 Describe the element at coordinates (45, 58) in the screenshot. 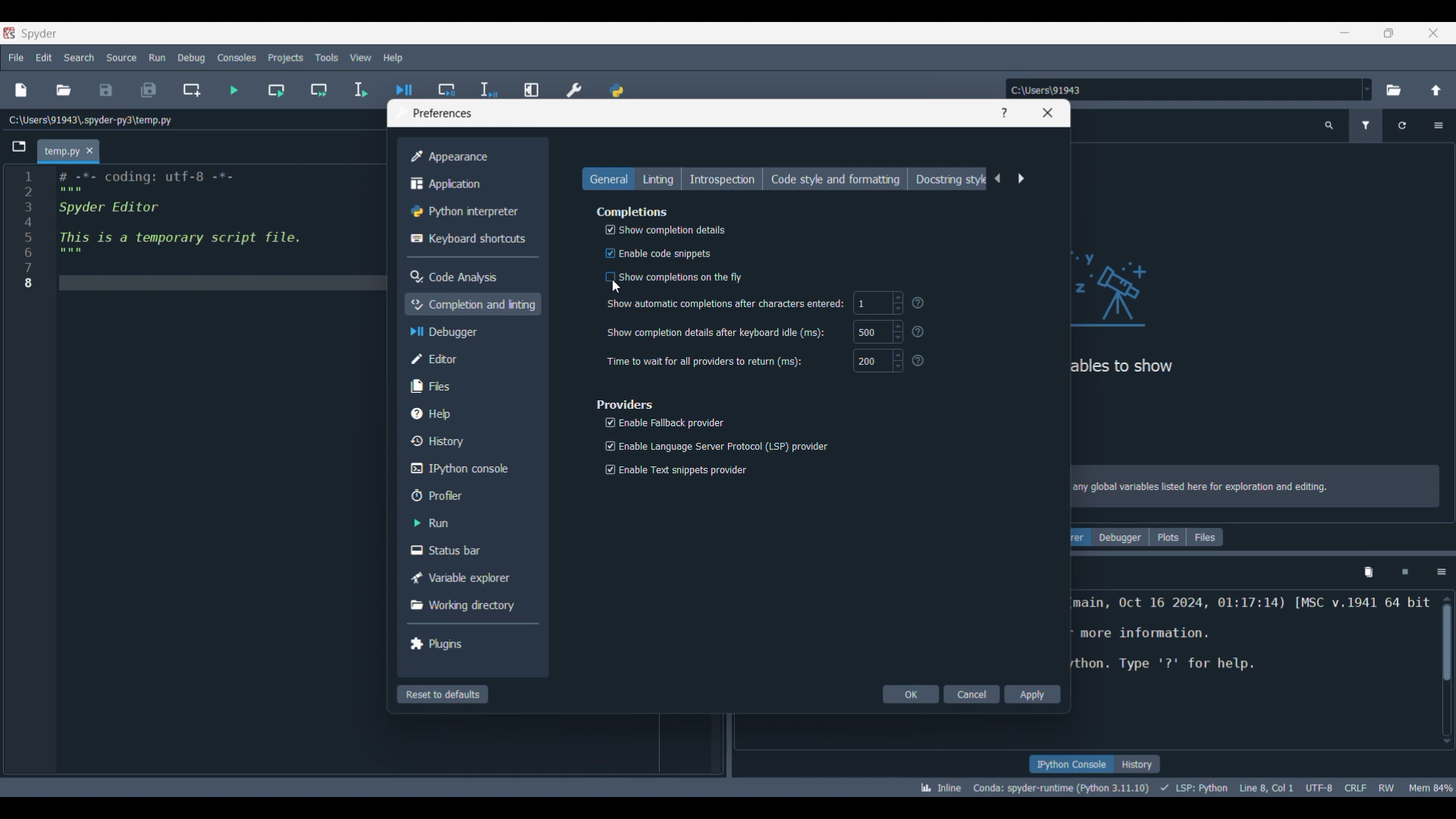

I see `Edit menu` at that location.